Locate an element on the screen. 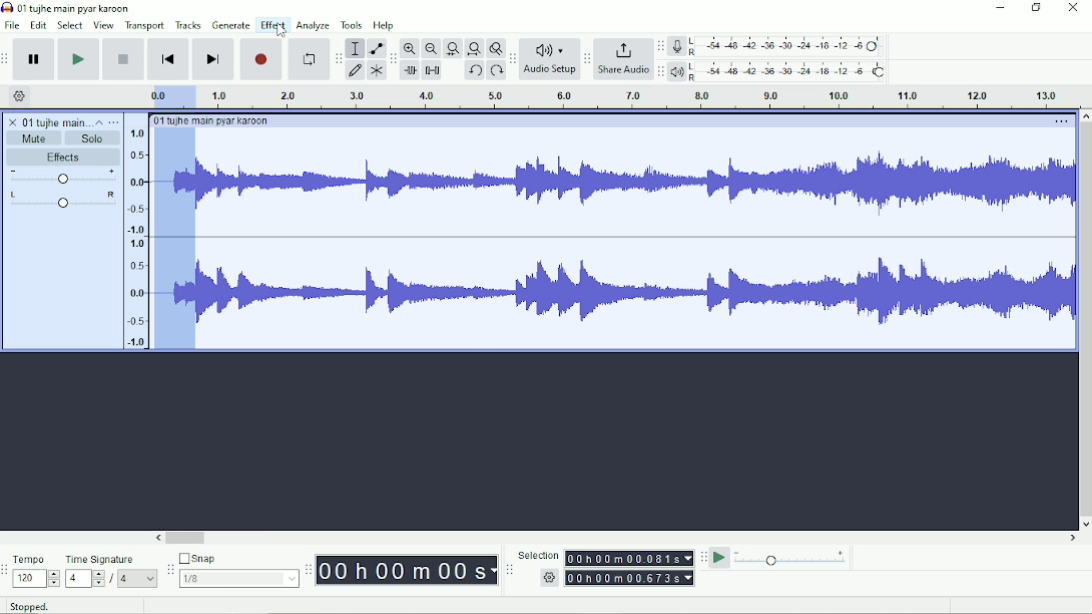  Mute is located at coordinates (35, 138).